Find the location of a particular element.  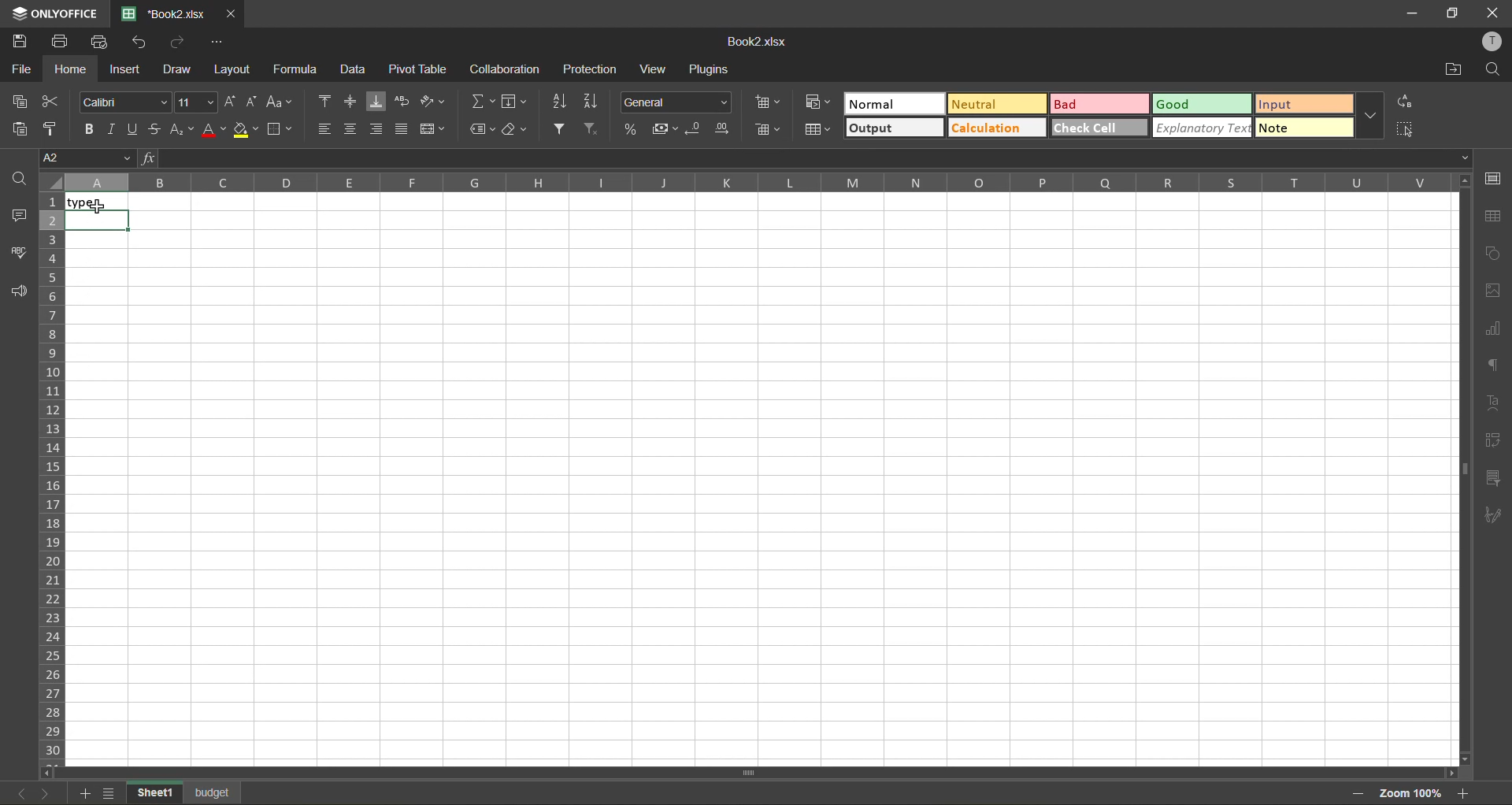

cell address is located at coordinates (85, 158).